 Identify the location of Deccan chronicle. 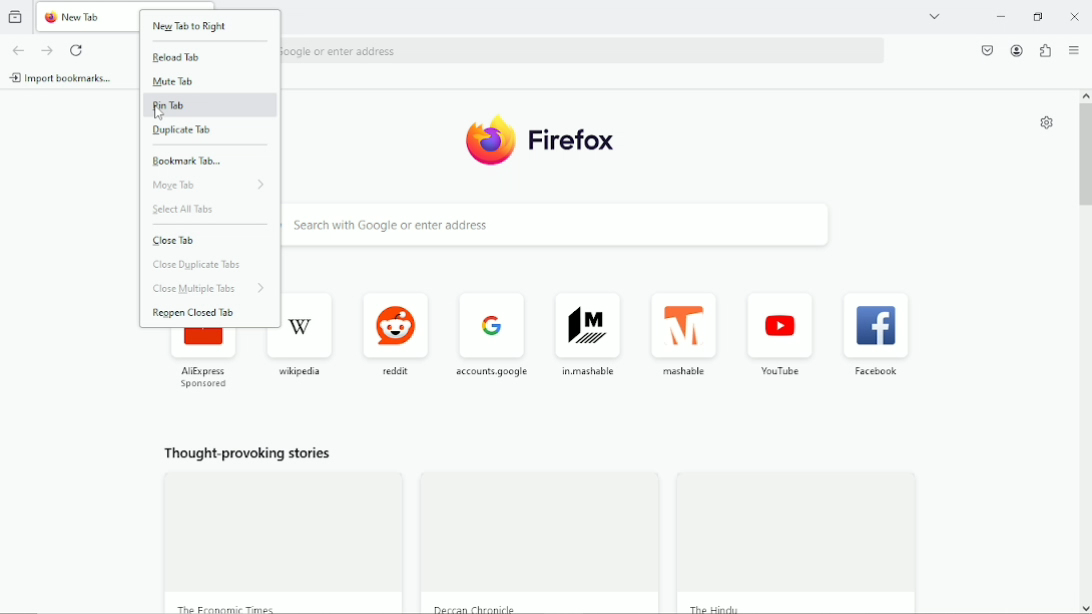
(478, 608).